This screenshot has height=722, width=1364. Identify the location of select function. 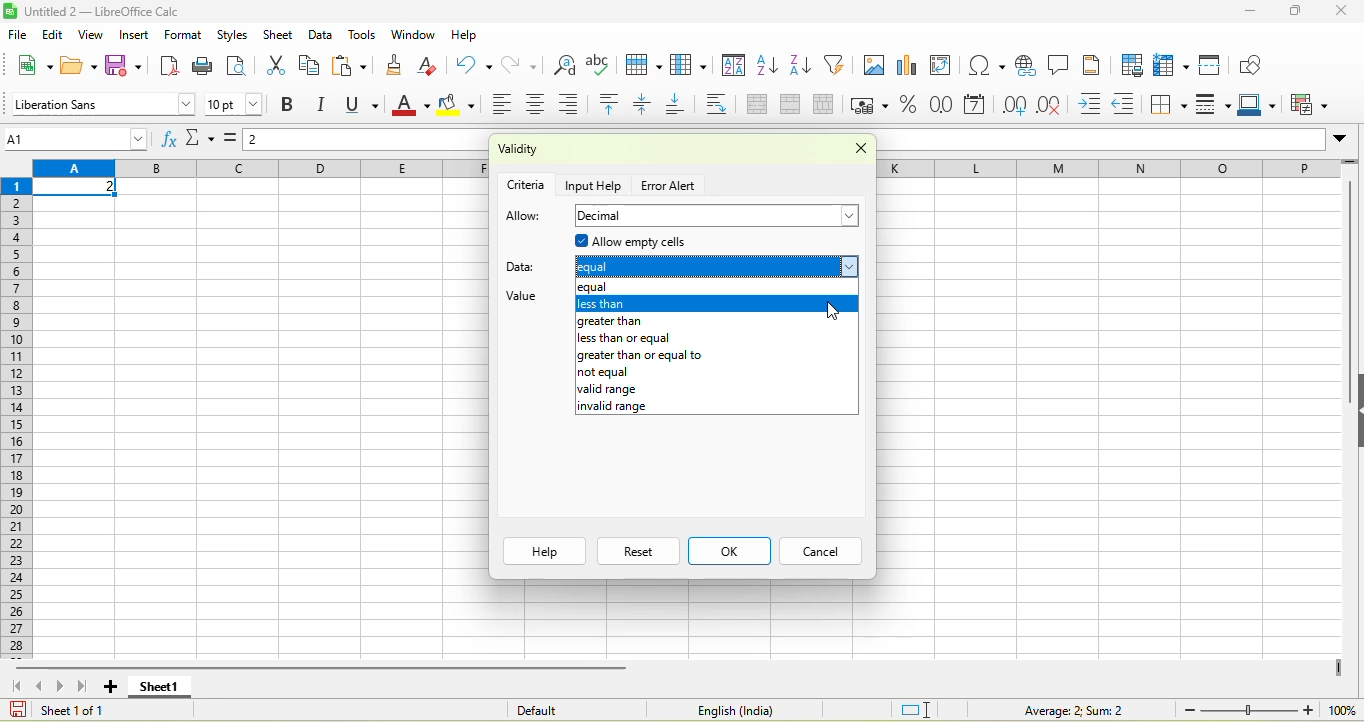
(202, 140).